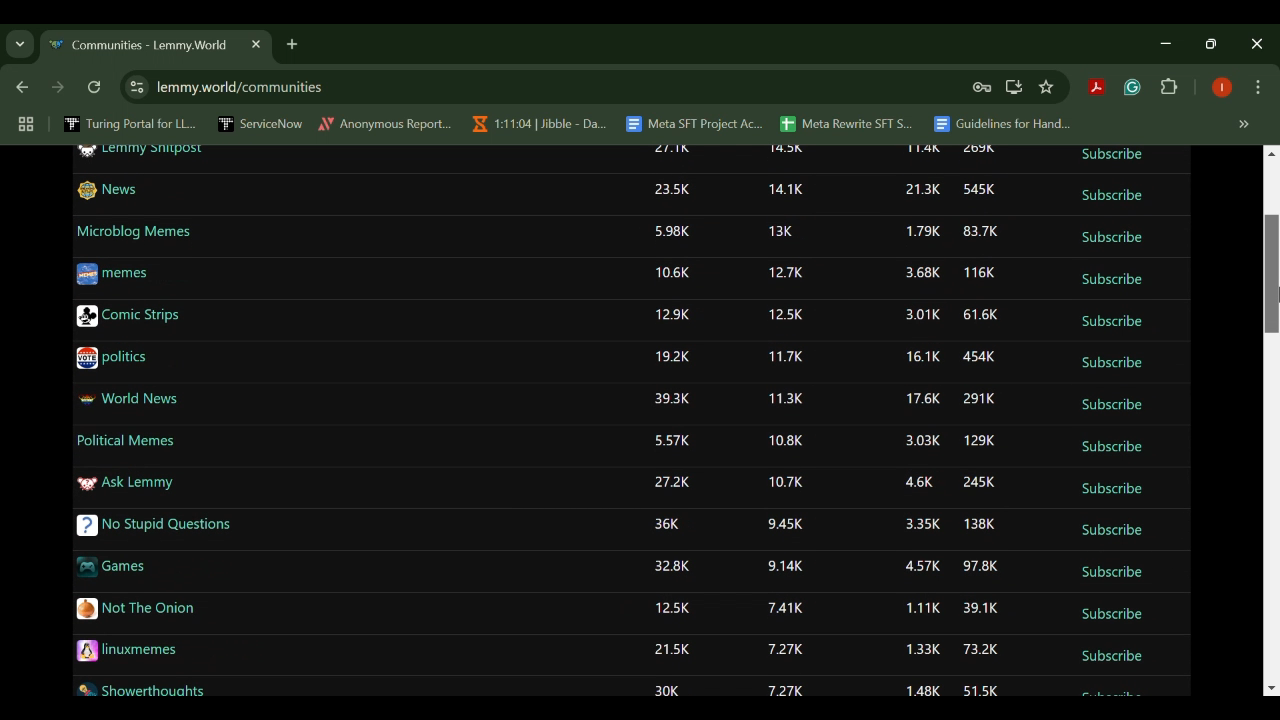  What do you see at coordinates (674, 355) in the screenshot?
I see `19.2K` at bounding box center [674, 355].